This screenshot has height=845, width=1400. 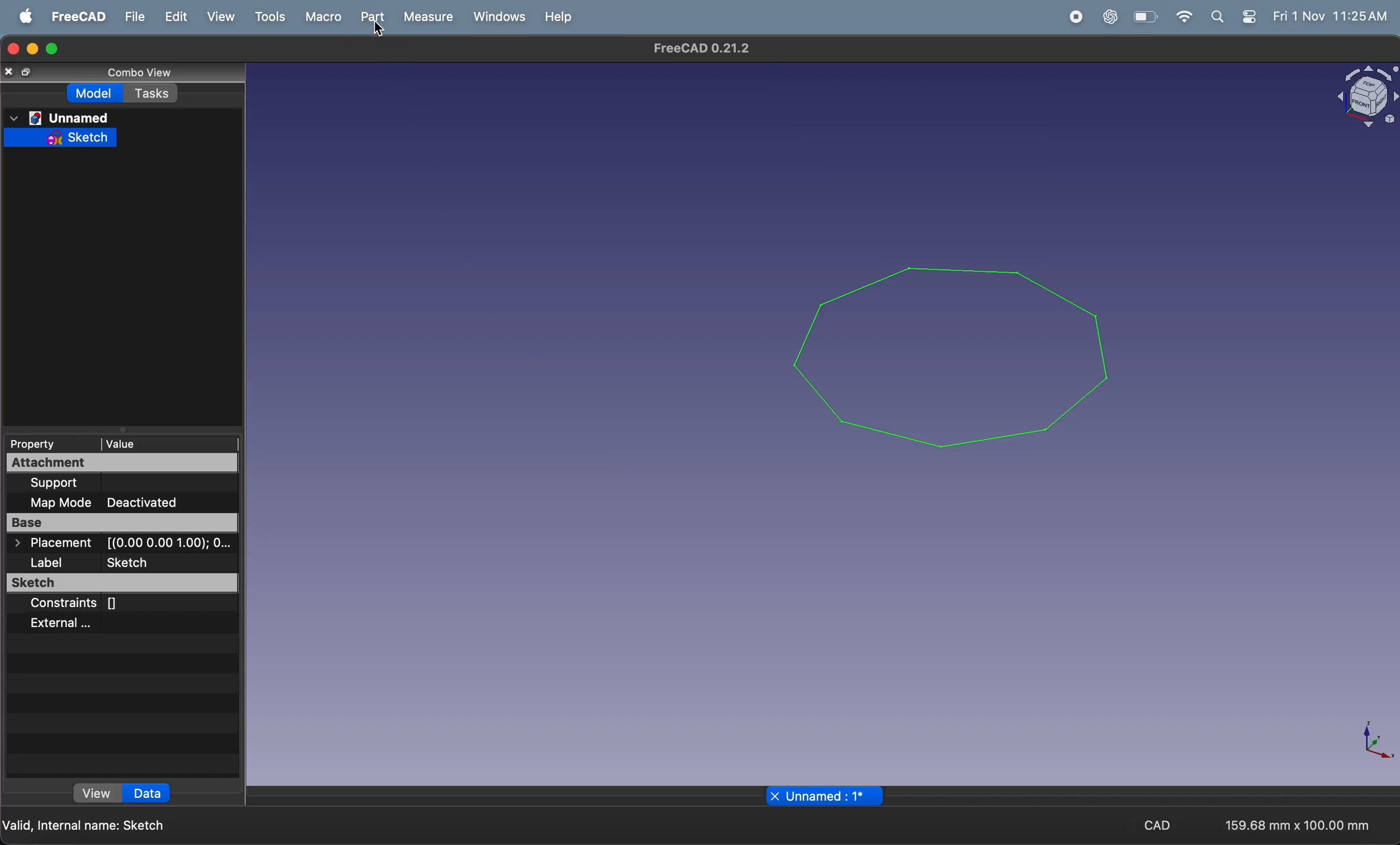 I want to click on measure, so click(x=427, y=17).